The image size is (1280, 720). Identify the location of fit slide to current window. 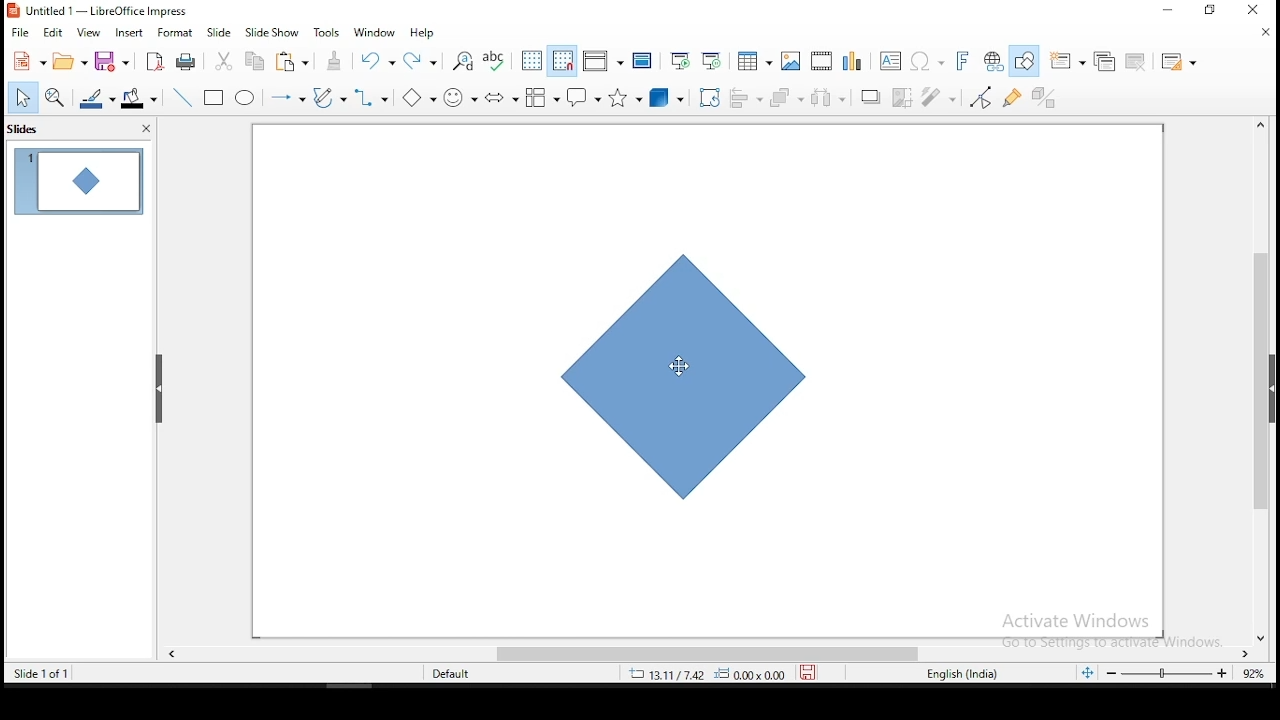
(1087, 671).